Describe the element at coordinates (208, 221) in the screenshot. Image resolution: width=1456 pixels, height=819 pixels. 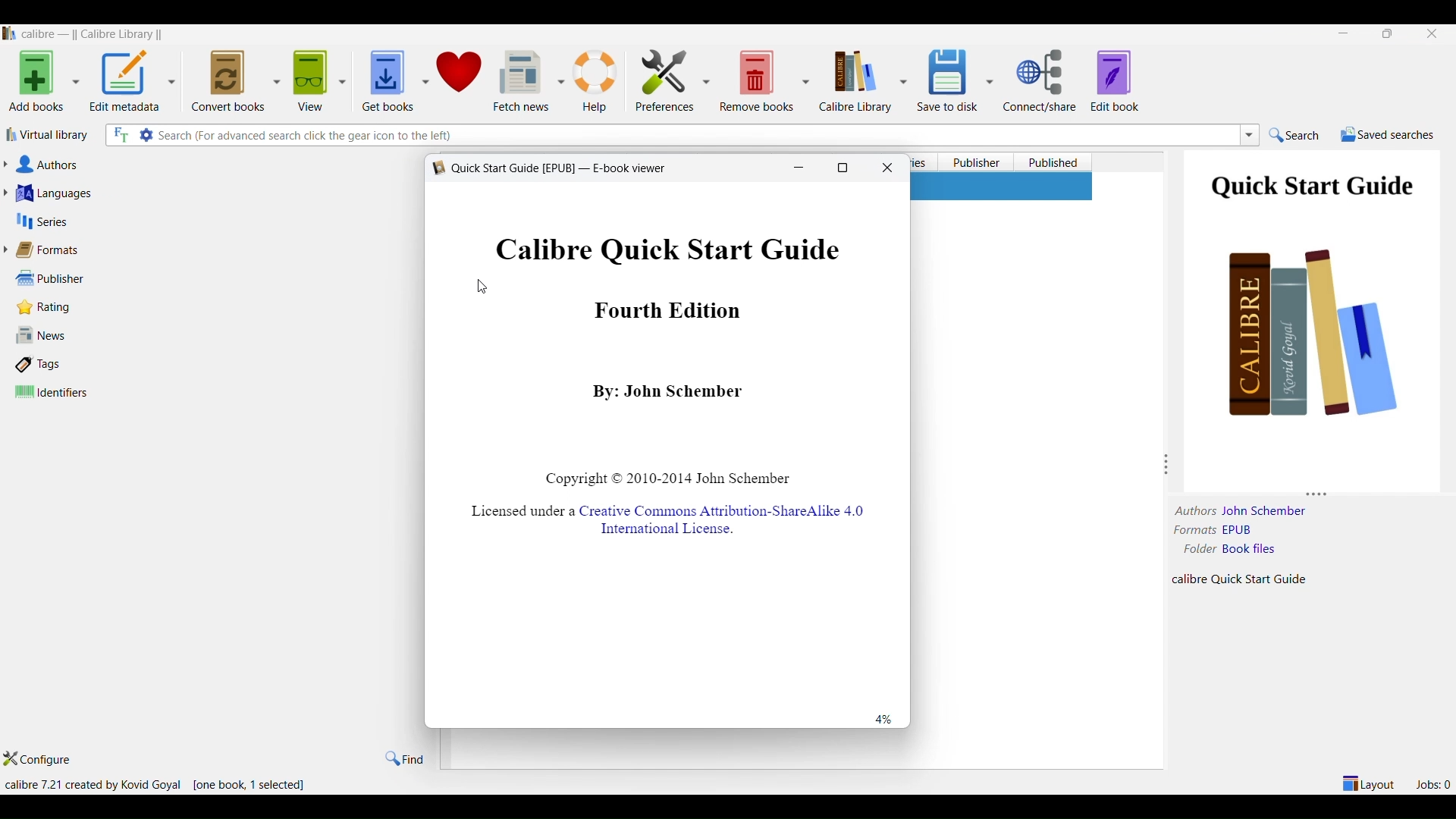
I see `series` at that location.